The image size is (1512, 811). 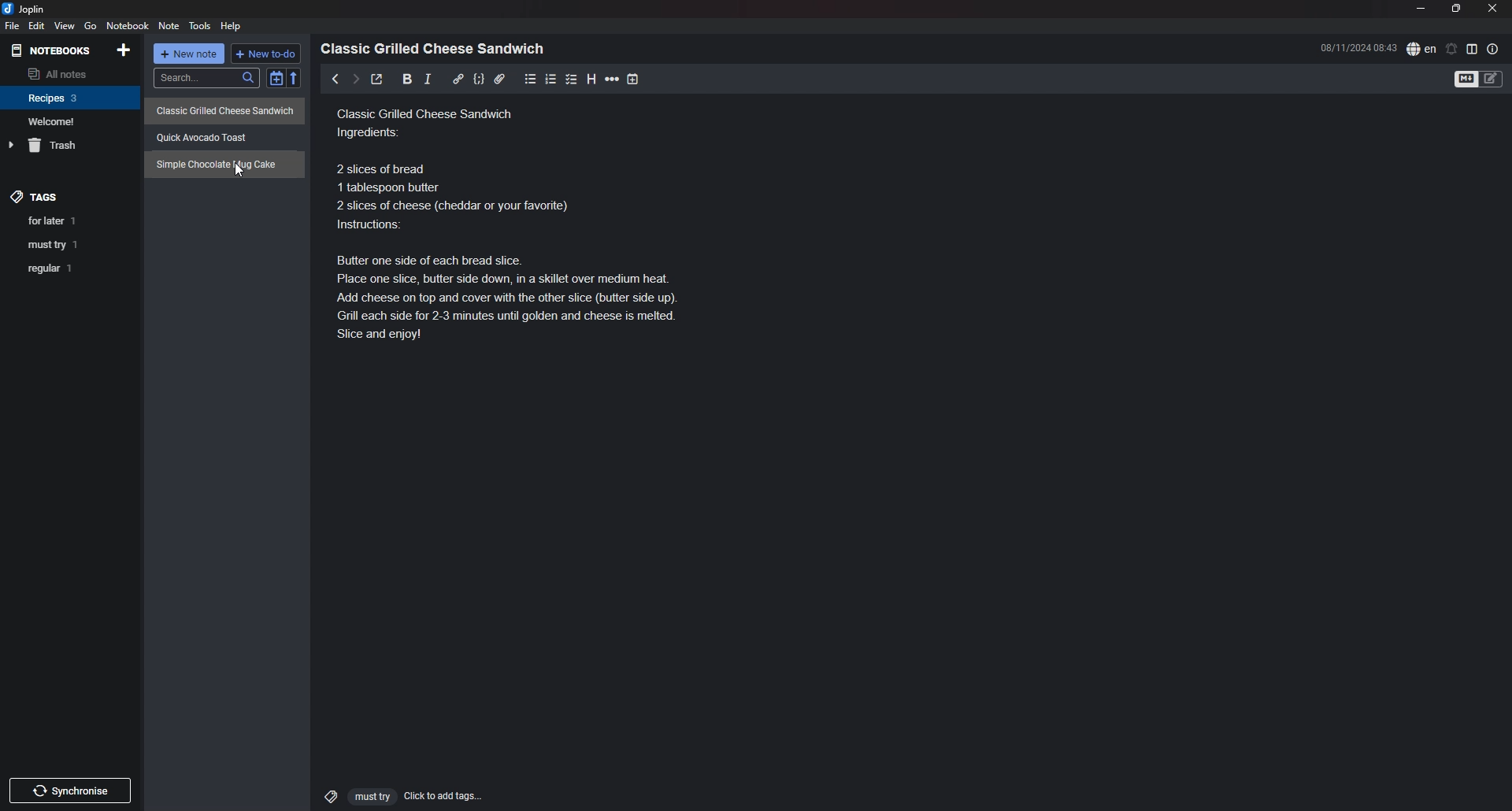 What do you see at coordinates (635, 79) in the screenshot?
I see `add time` at bounding box center [635, 79].